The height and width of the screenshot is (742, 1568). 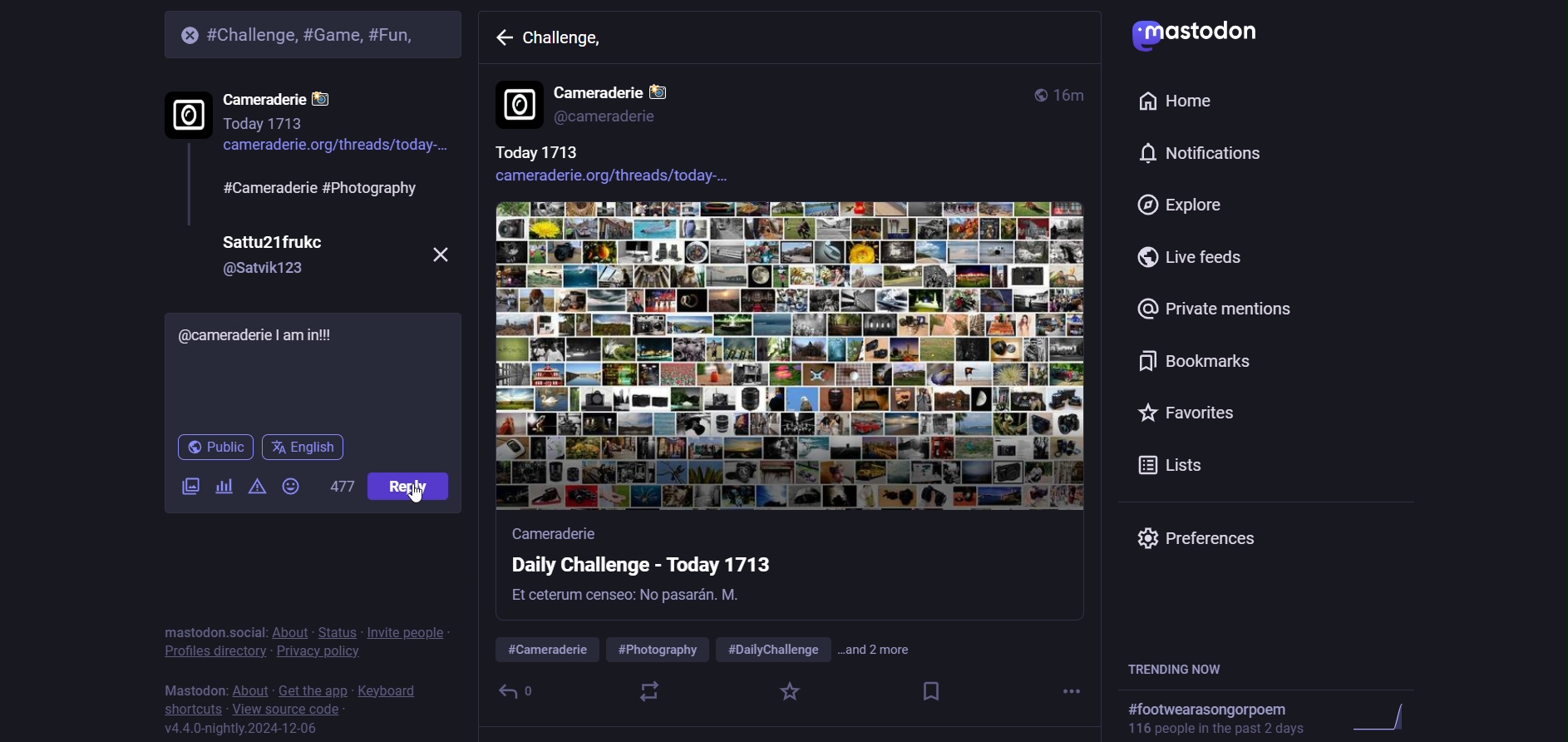 What do you see at coordinates (318, 392) in the screenshot?
I see `write here` at bounding box center [318, 392].